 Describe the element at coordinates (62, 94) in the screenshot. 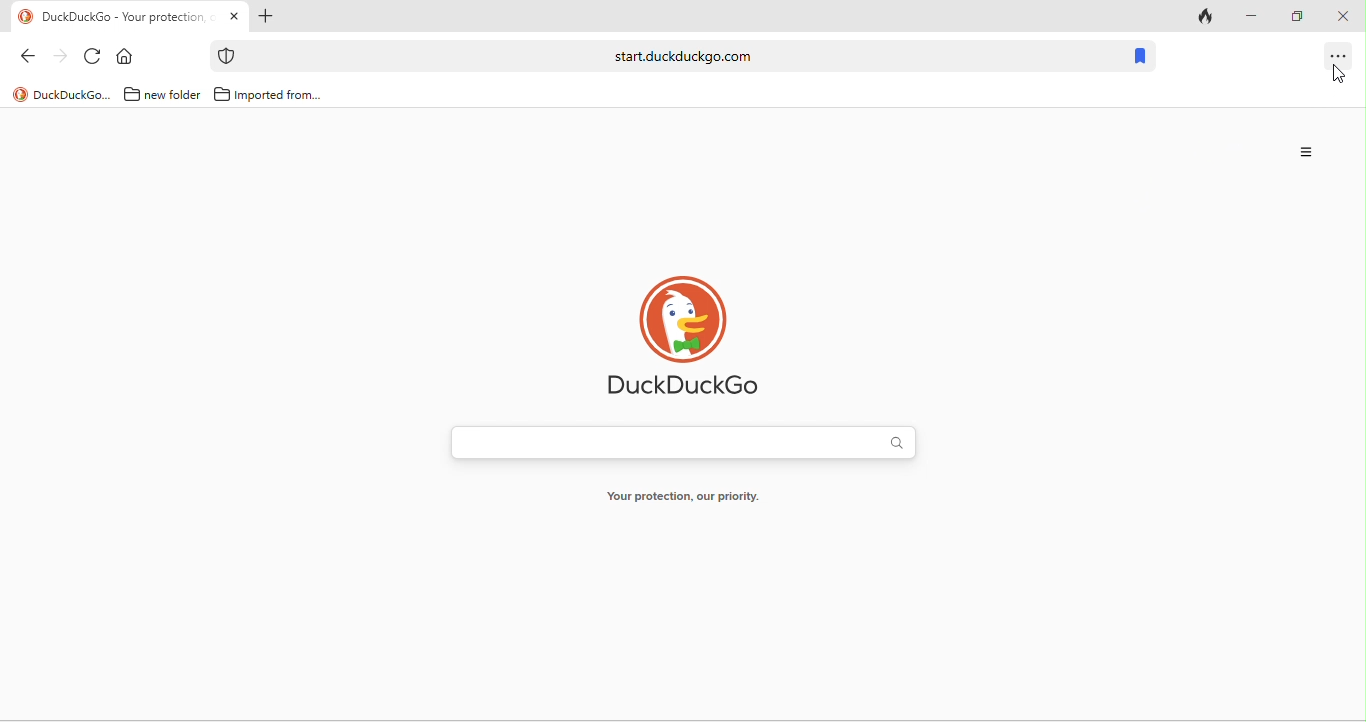

I see `duckduckgo...` at that location.